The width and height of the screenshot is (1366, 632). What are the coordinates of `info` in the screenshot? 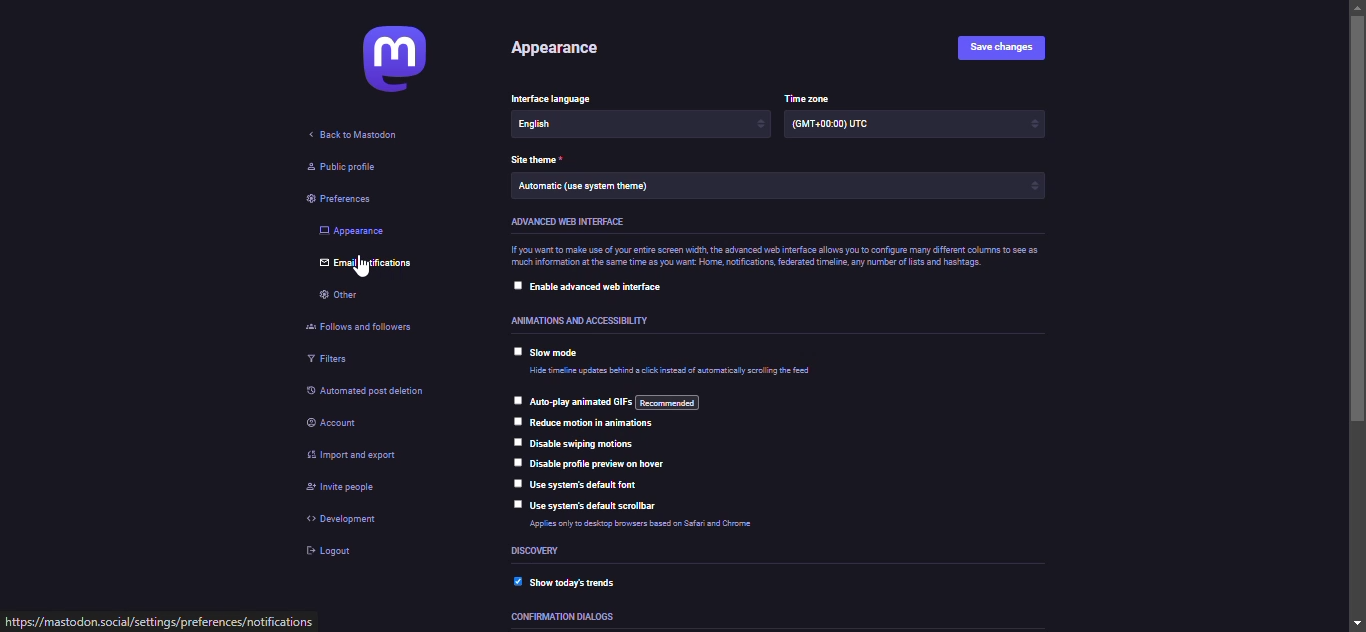 It's located at (675, 371).